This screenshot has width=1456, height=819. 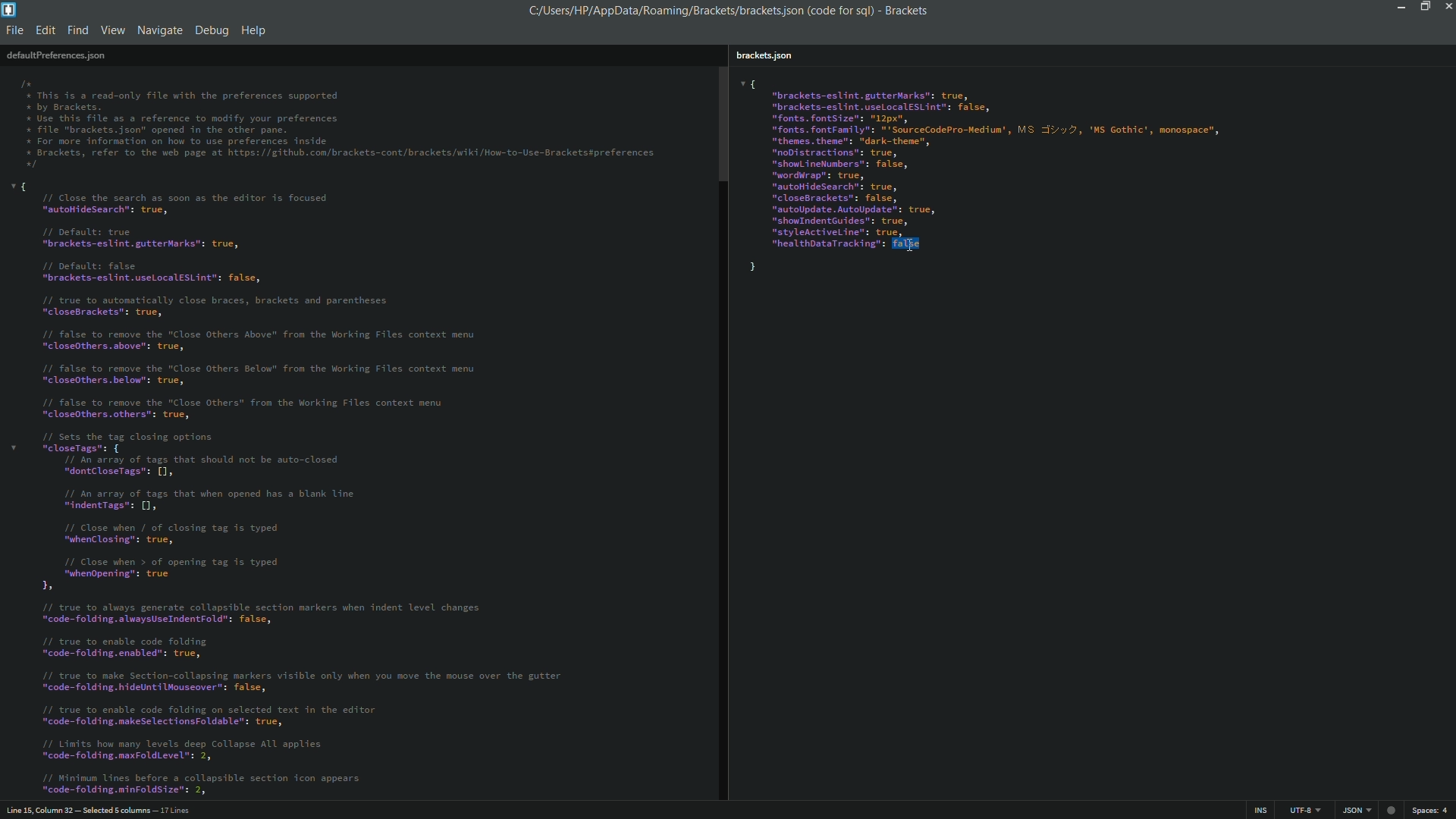 I want to click on Minimize, so click(x=1398, y=6).